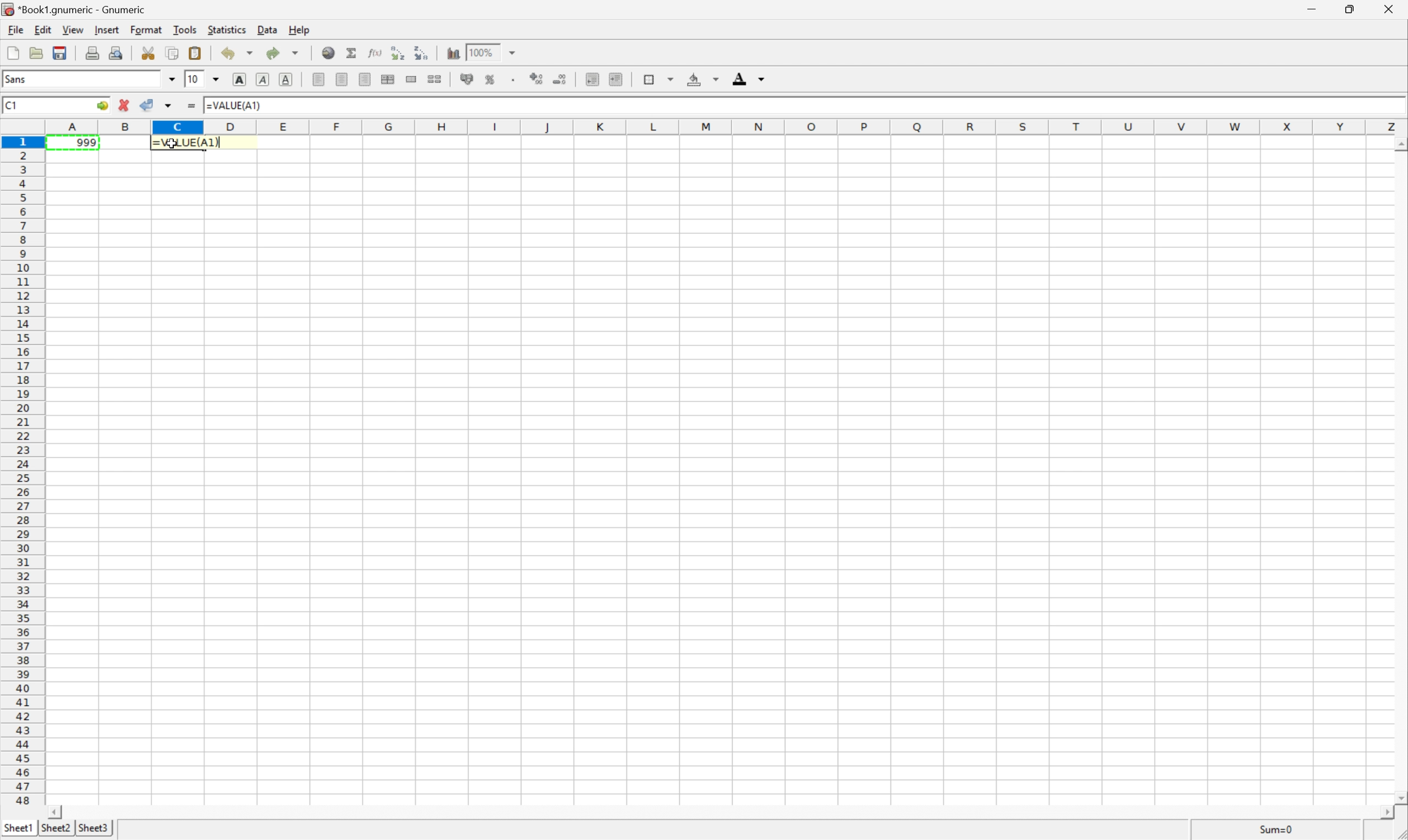  What do you see at coordinates (92, 51) in the screenshot?
I see `print current file` at bounding box center [92, 51].